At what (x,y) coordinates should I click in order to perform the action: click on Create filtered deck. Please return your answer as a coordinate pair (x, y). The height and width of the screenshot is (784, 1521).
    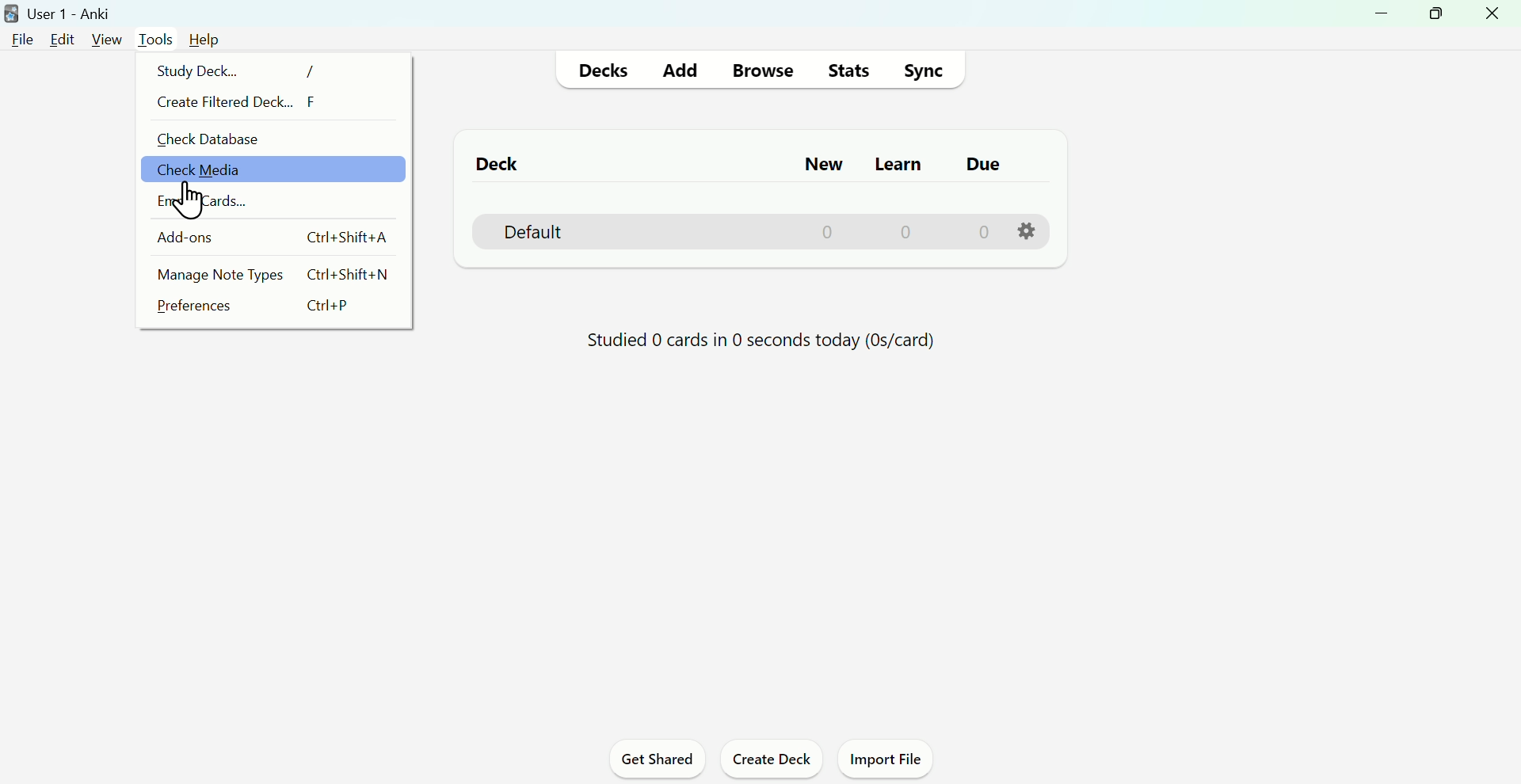
    Looking at the image, I should click on (256, 104).